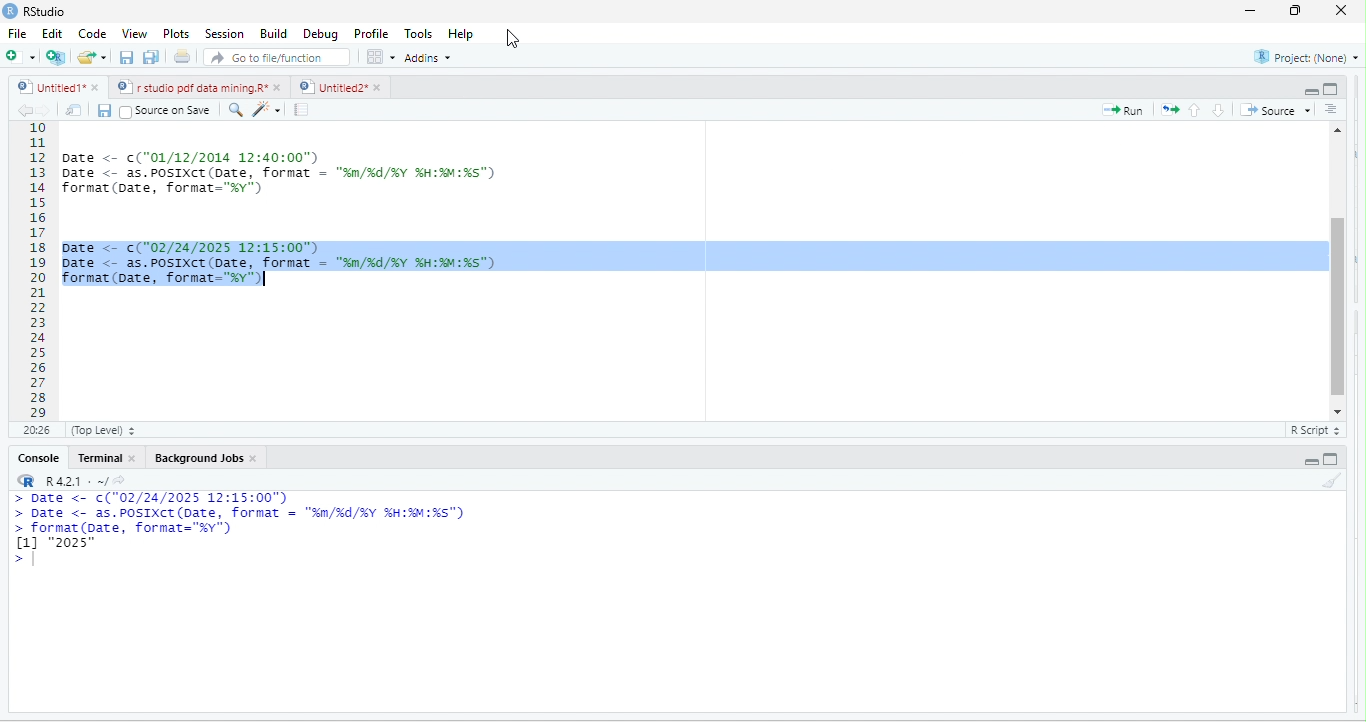  Describe the element at coordinates (165, 110) in the screenshot. I see `‘Source on Save` at that location.